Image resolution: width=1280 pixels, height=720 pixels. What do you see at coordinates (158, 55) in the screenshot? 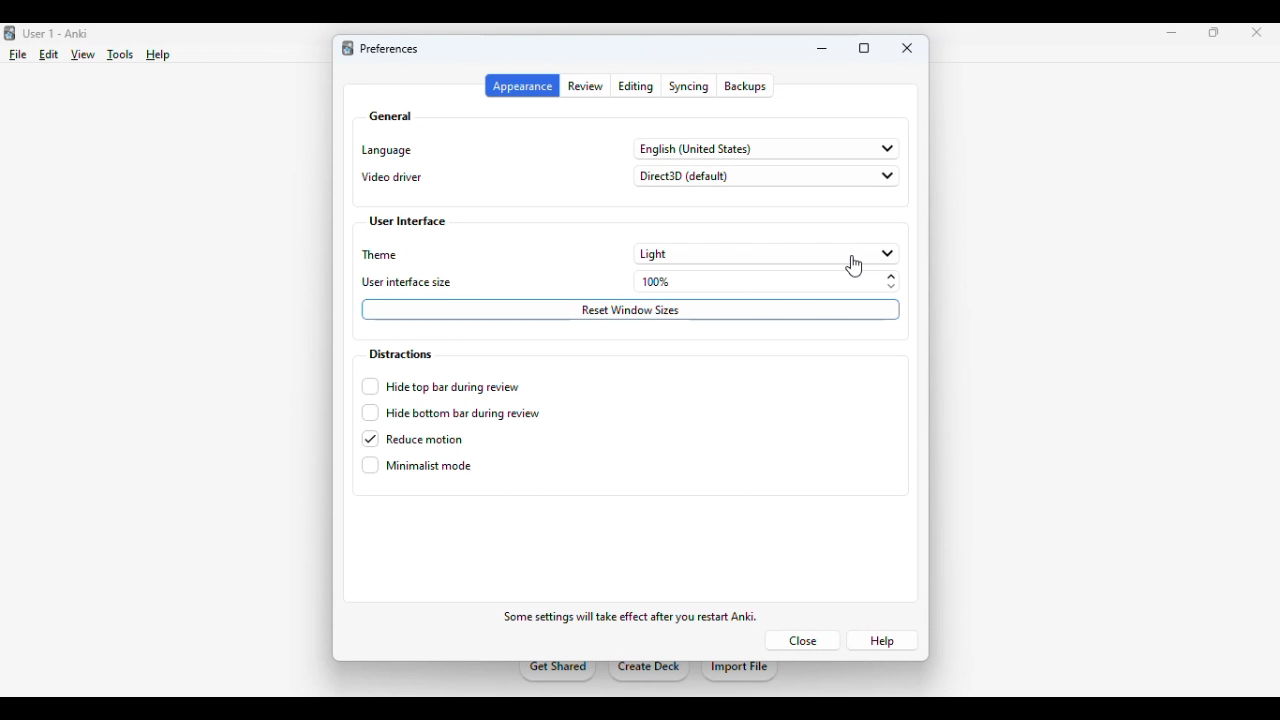
I see `help` at bounding box center [158, 55].